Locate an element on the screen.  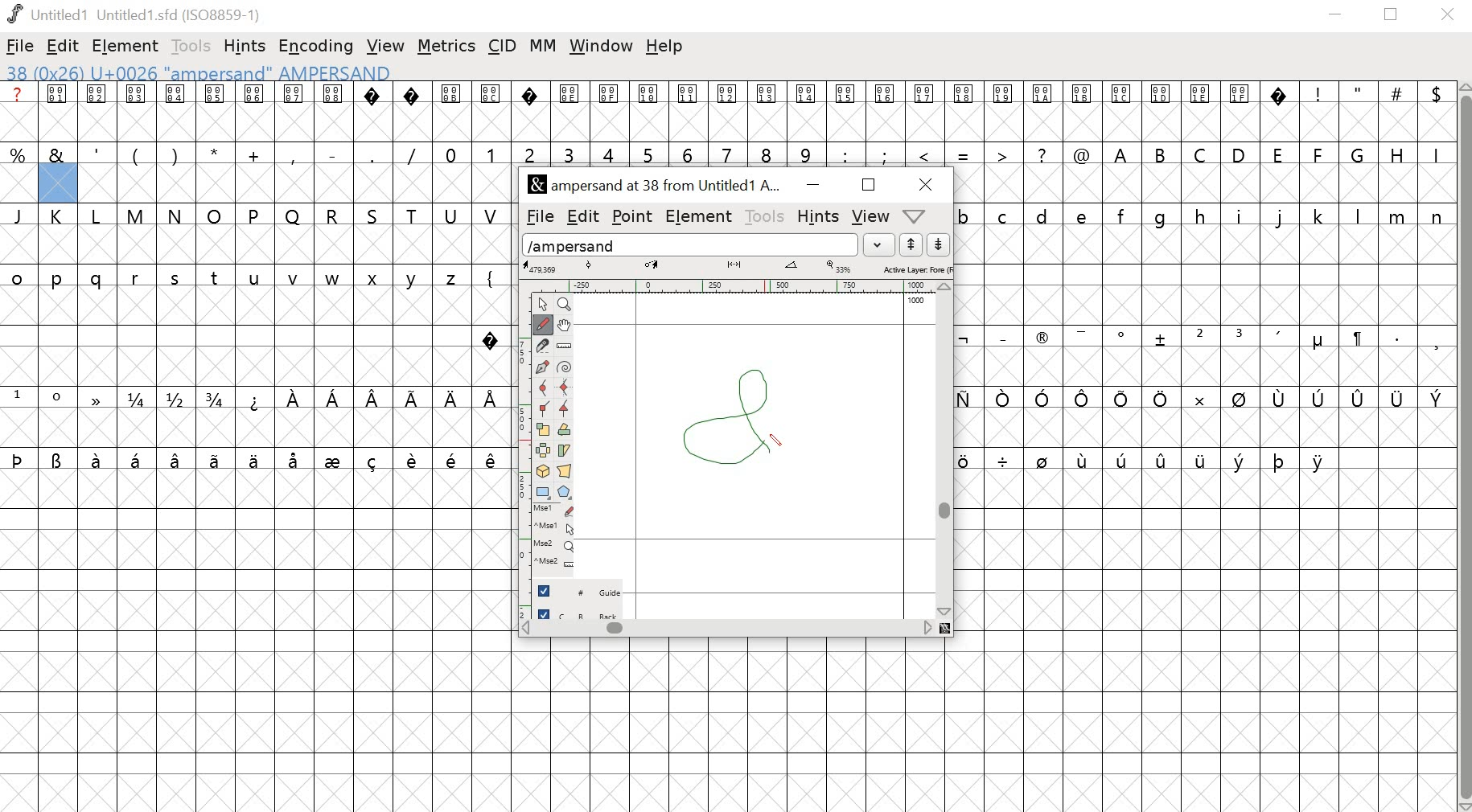
1 is located at coordinates (491, 153).